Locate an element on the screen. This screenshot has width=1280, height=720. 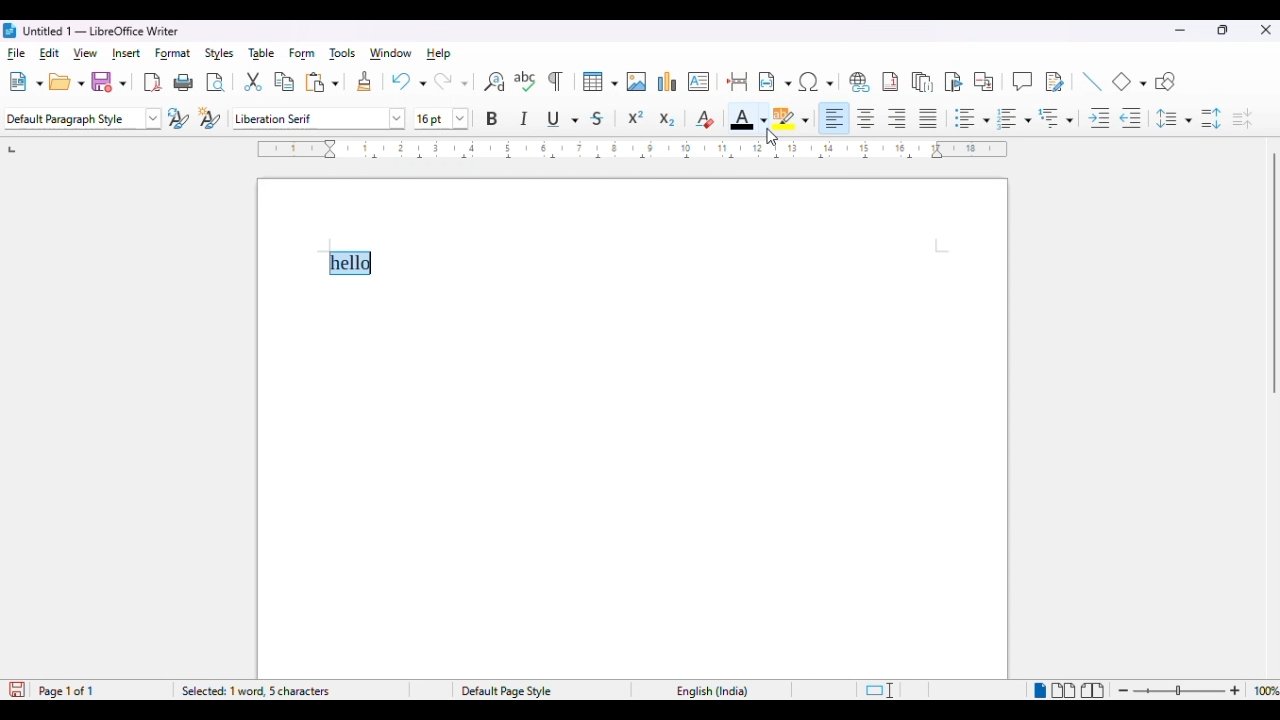
standard selection is located at coordinates (878, 691).